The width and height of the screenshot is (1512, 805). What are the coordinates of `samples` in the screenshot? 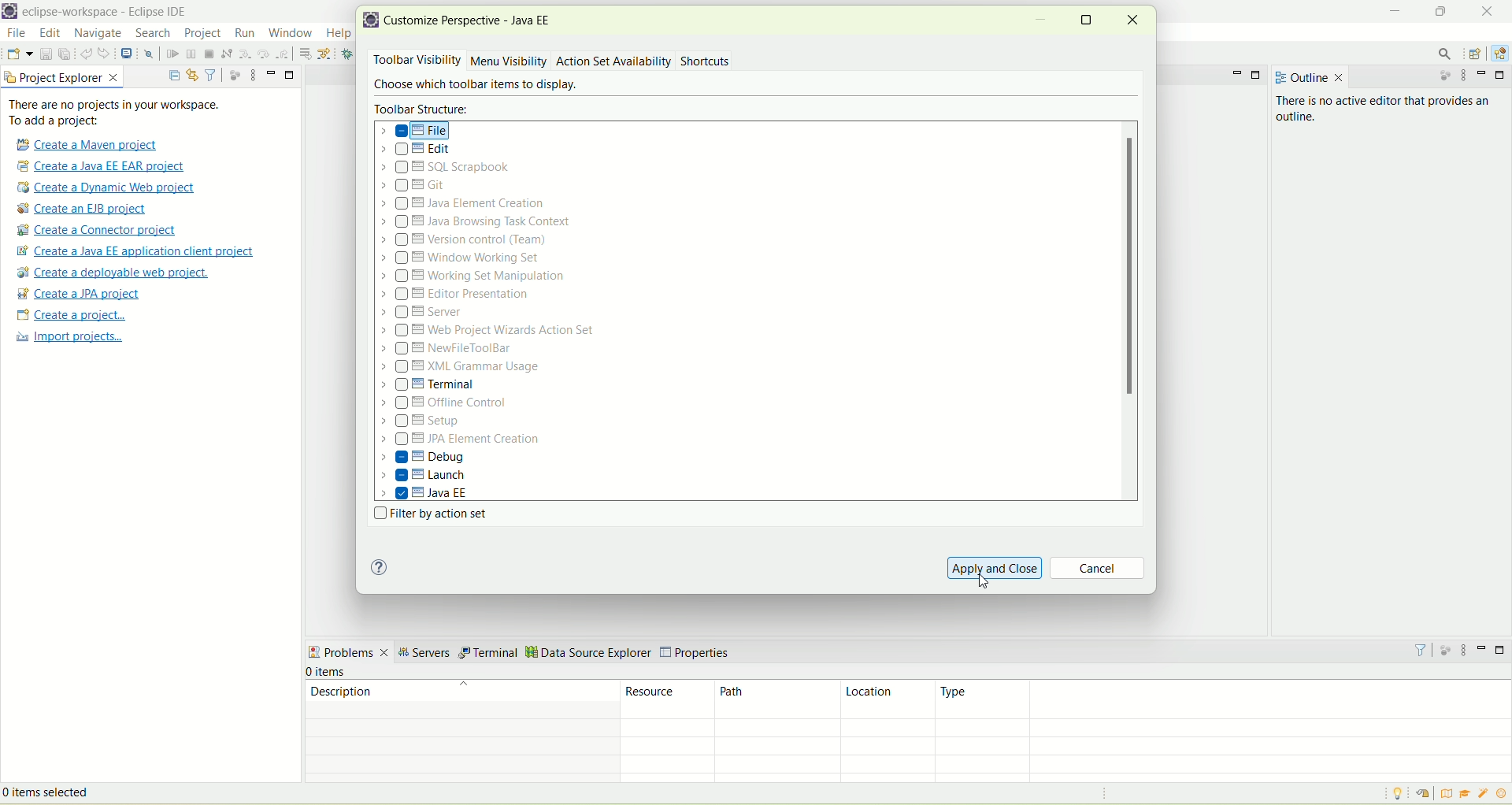 It's located at (1484, 794).